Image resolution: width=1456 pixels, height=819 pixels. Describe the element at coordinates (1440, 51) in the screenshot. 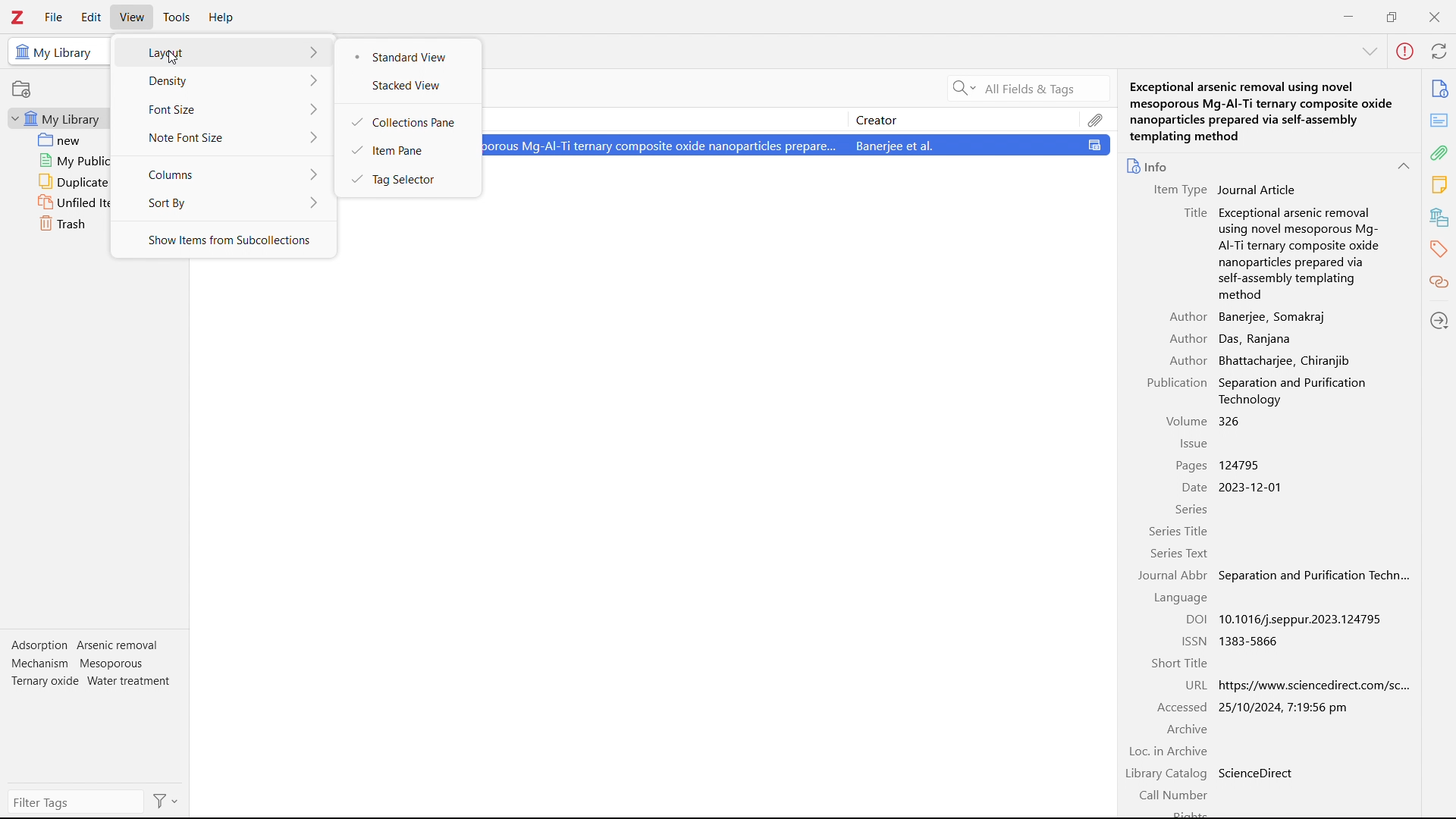

I see `sync with zotero.org` at that location.